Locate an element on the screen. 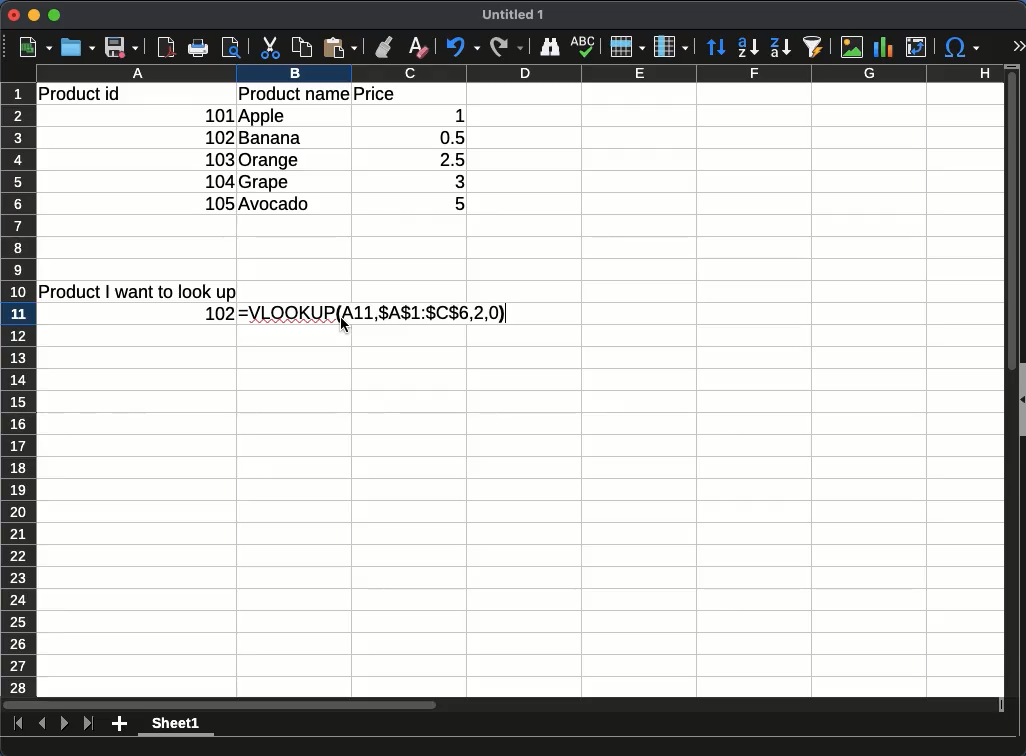 The width and height of the screenshot is (1026, 756). add is located at coordinates (119, 724).